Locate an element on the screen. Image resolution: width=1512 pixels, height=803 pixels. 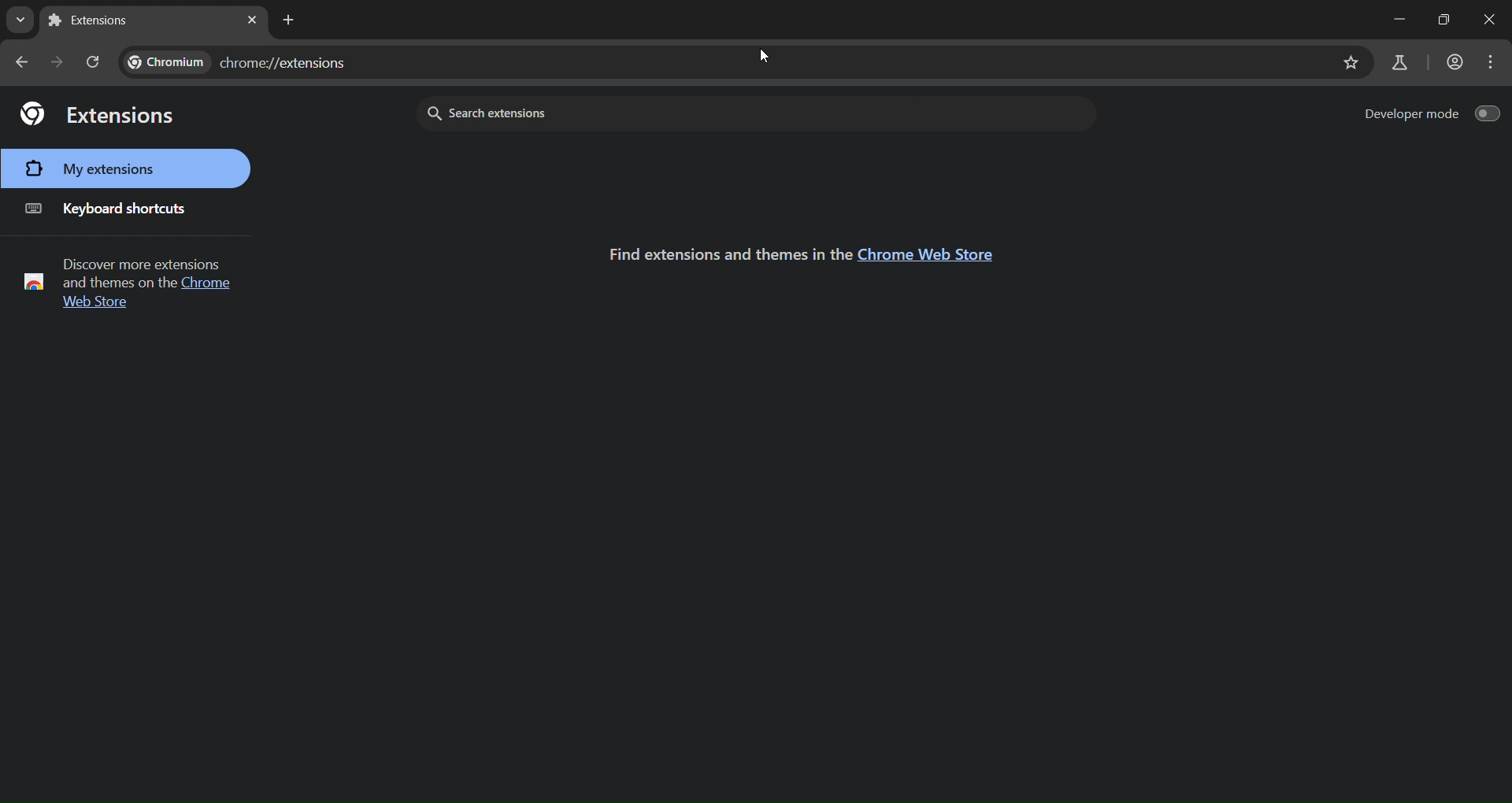
developer mode is located at coordinates (1431, 116).